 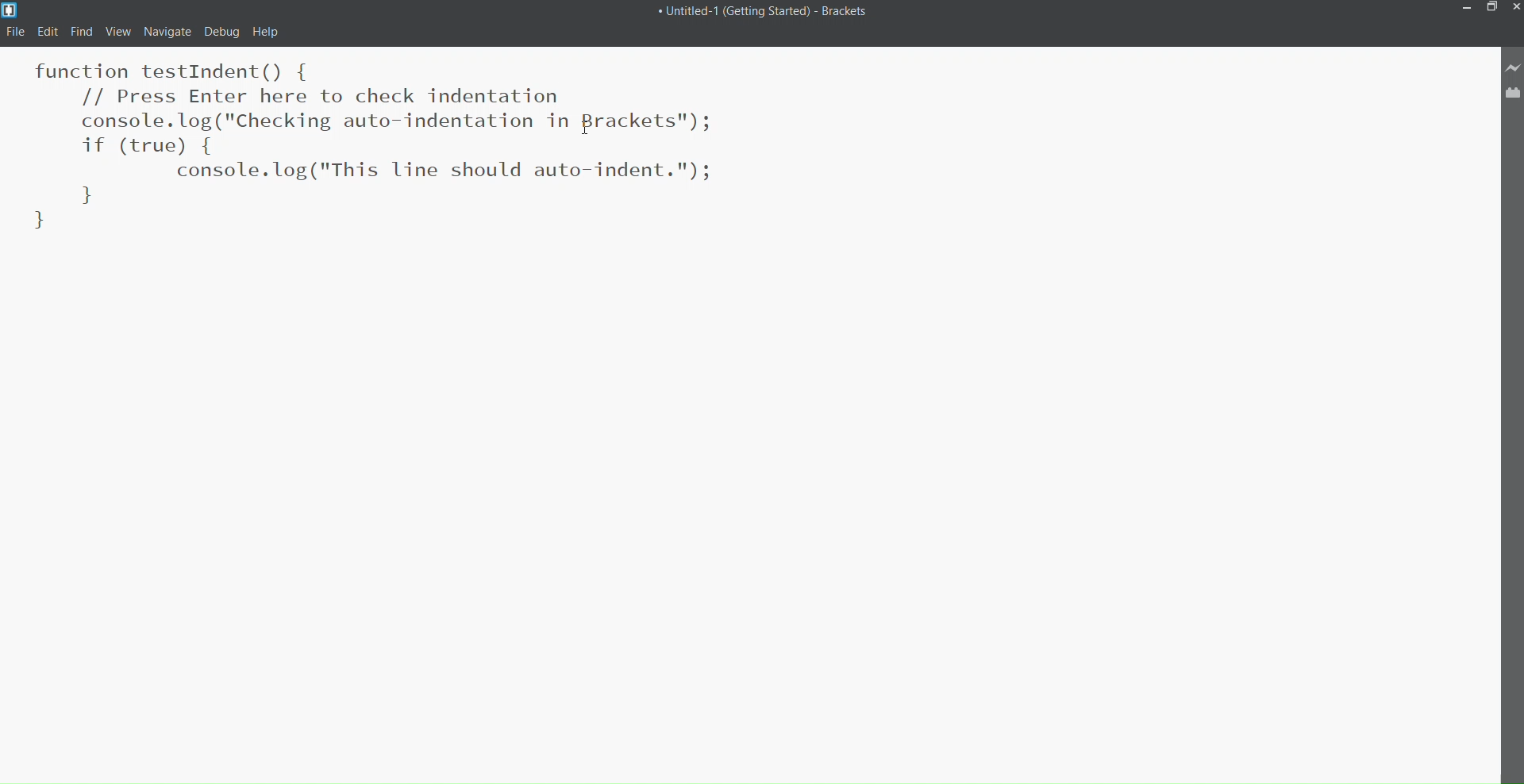 What do you see at coordinates (441, 157) in the screenshot?
I see `Code` at bounding box center [441, 157].